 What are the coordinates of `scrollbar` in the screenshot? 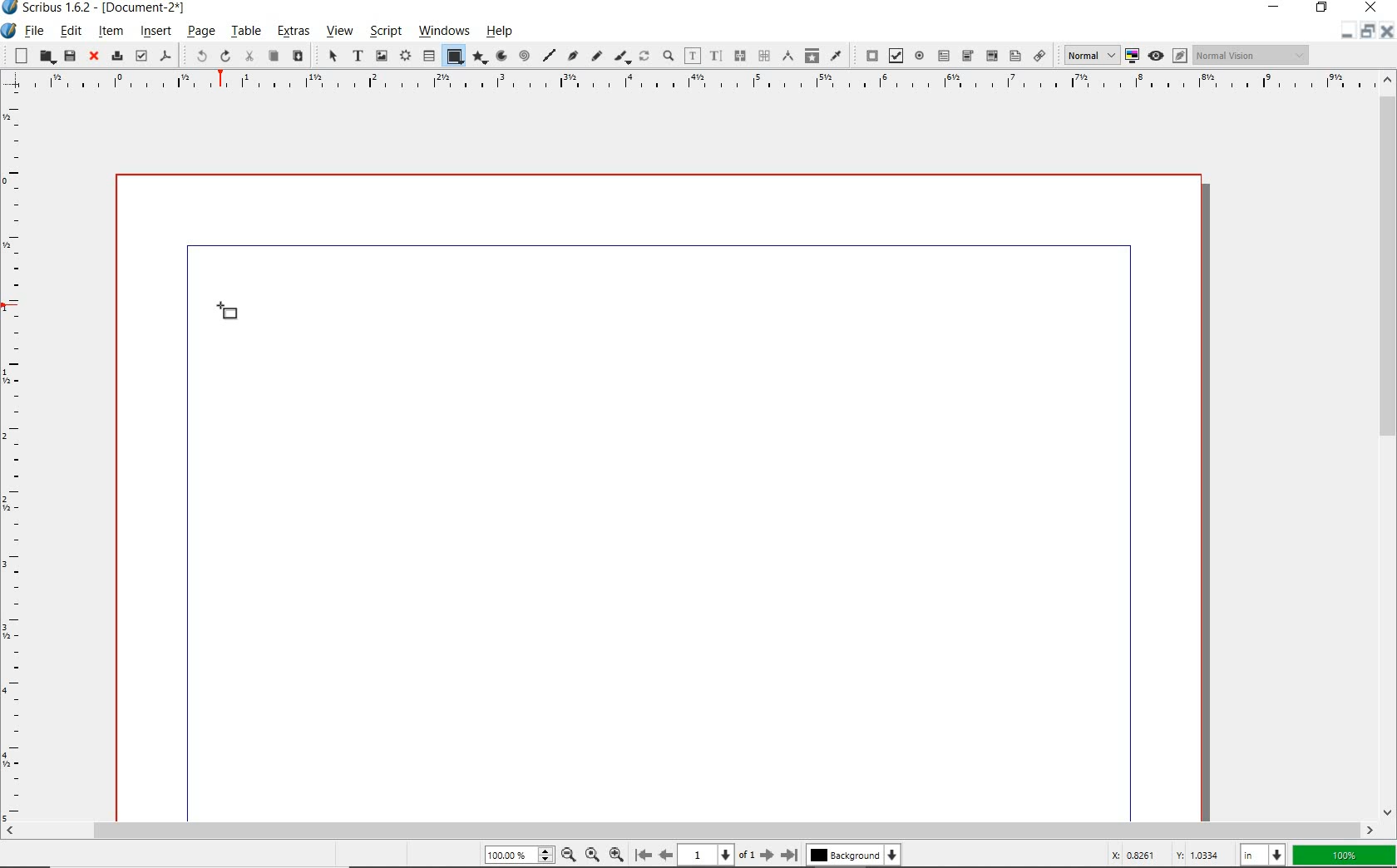 It's located at (1389, 445).